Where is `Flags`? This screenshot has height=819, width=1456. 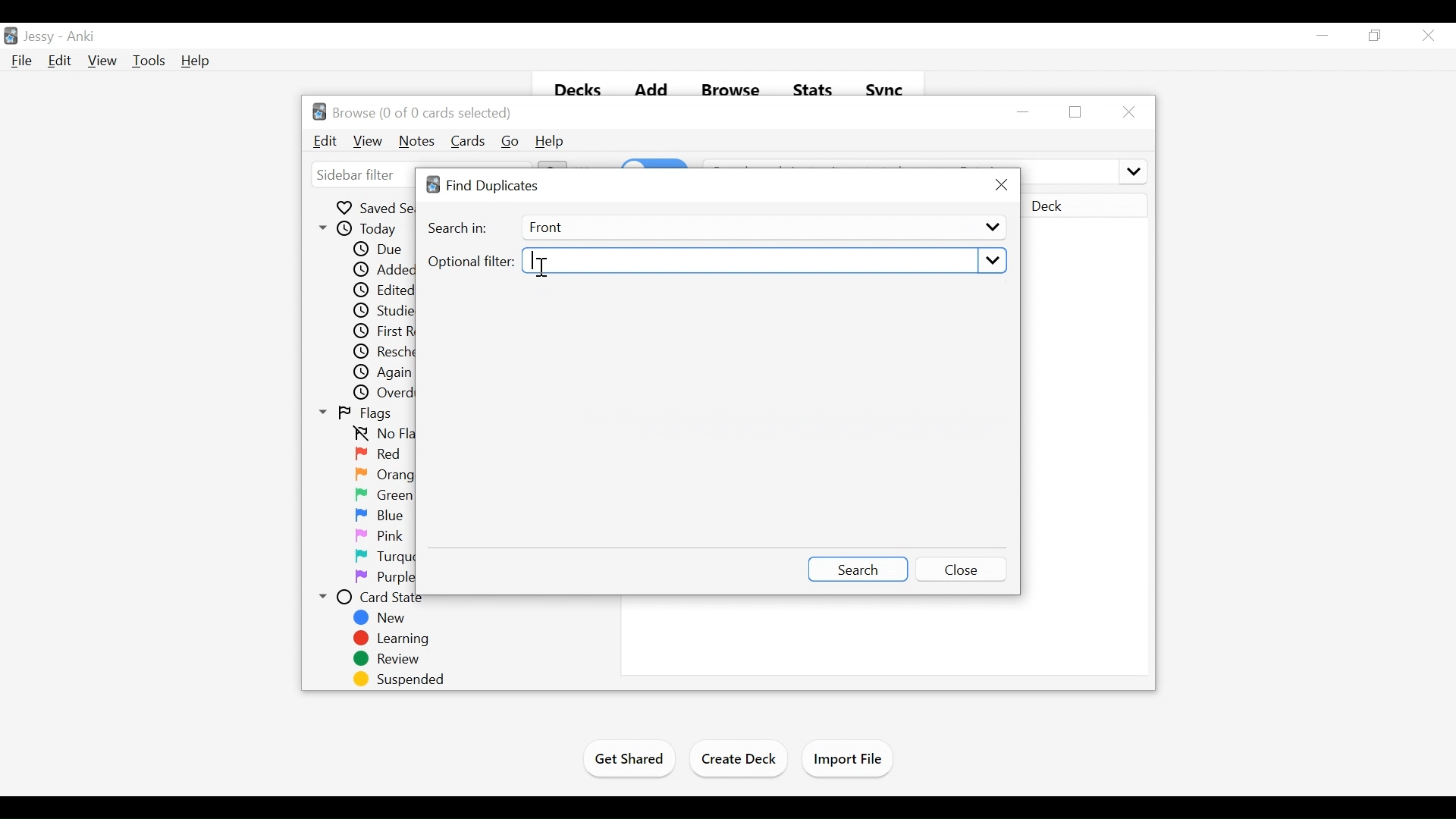 Flags is located at coordinates (356, 414).